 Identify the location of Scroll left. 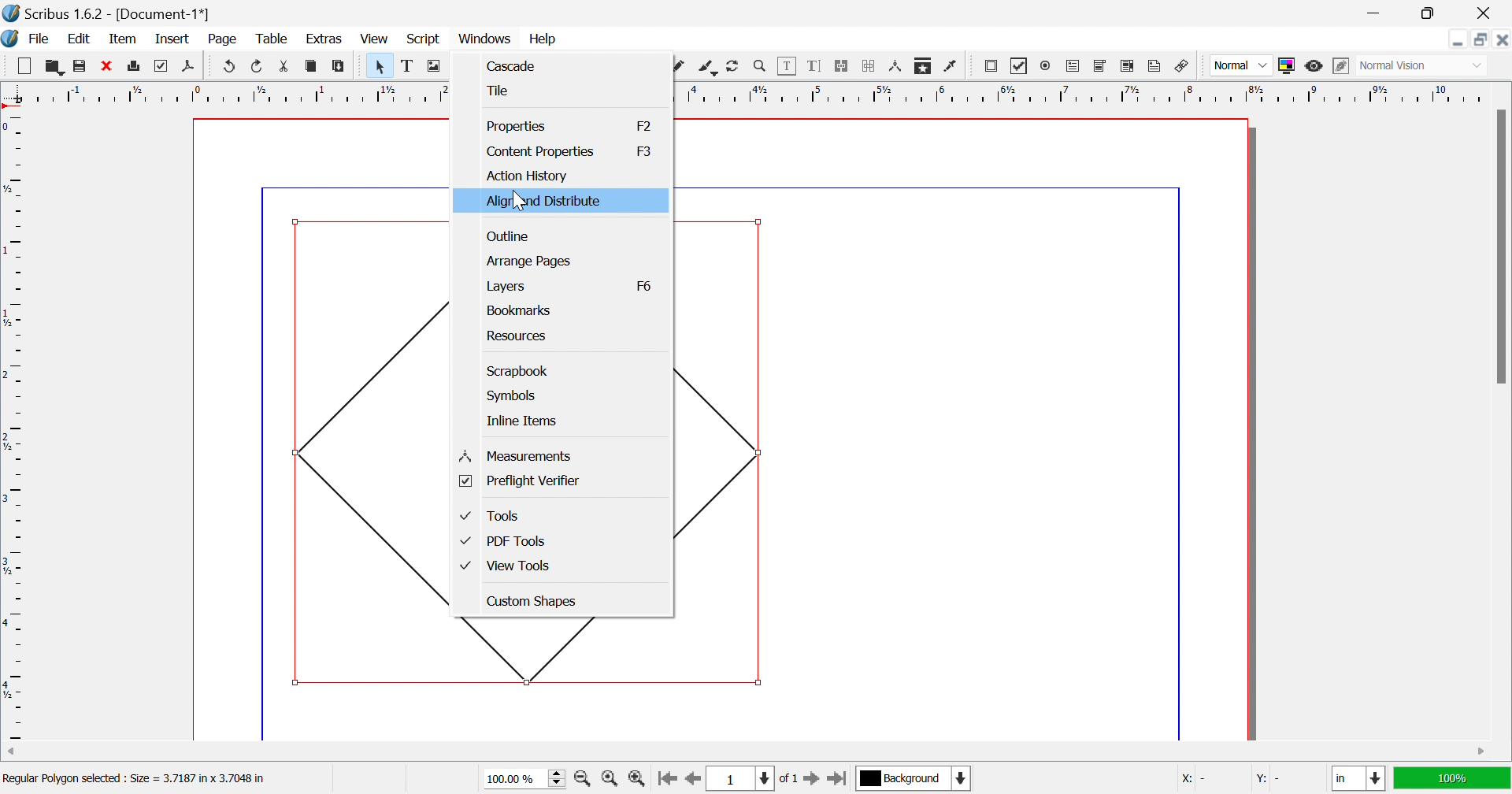
(13, 752).